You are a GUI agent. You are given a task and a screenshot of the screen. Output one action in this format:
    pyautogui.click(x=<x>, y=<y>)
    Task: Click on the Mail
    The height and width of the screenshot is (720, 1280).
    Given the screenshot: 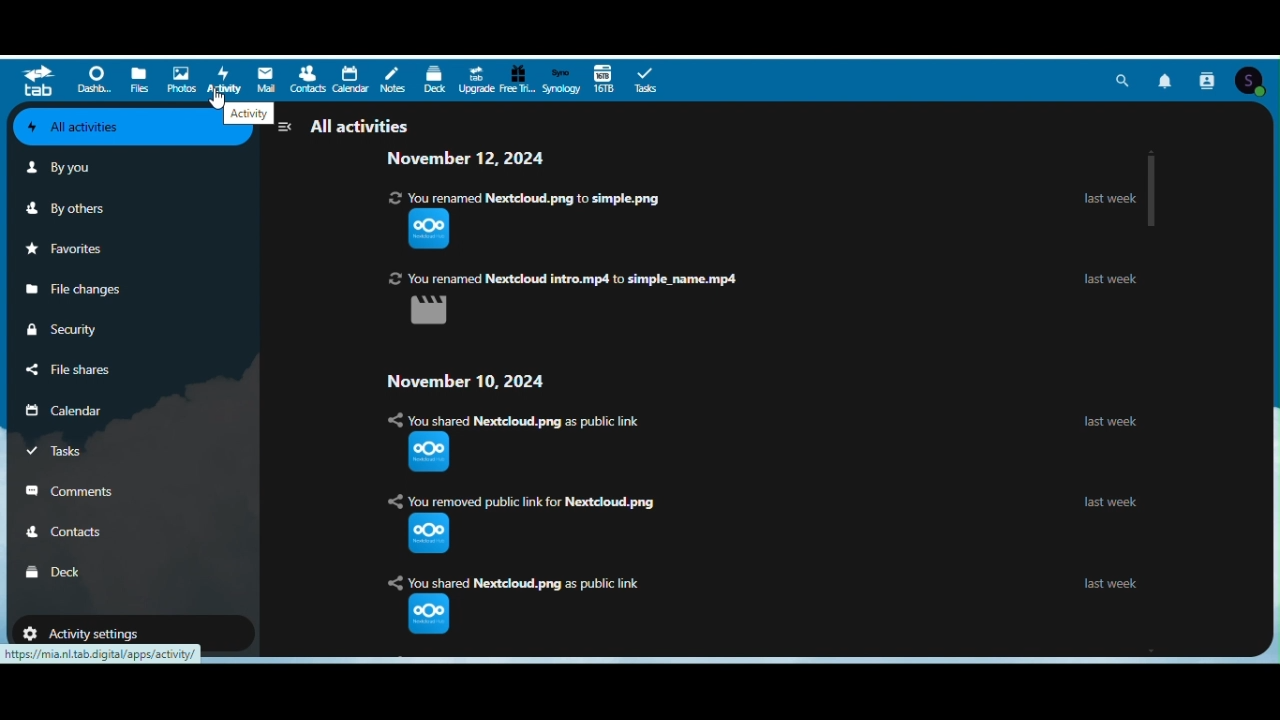 What is the action you would take?
    pyautogui.click(x=267, y=80)
    